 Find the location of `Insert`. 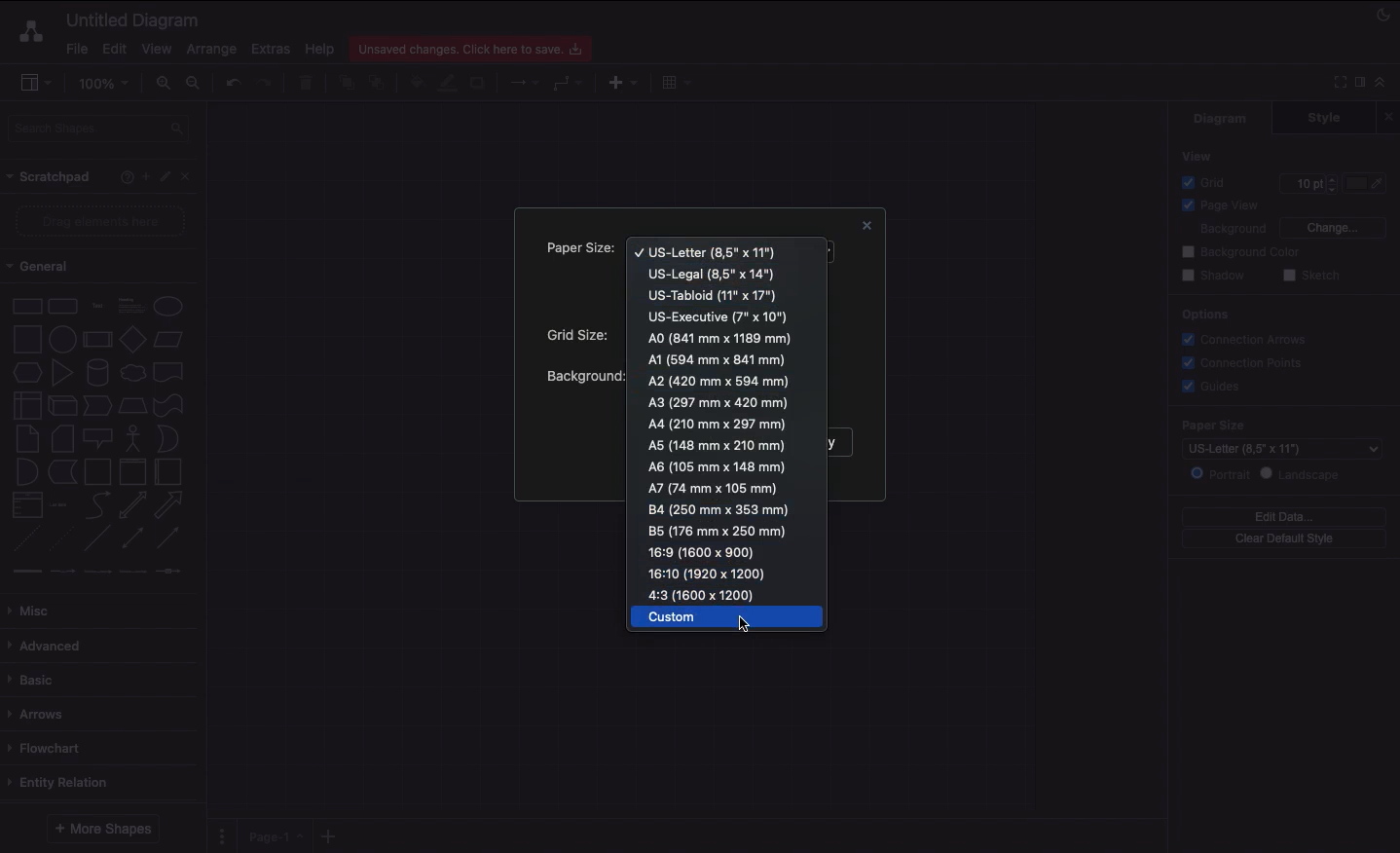

Insert is located at coordinates (618, 81).